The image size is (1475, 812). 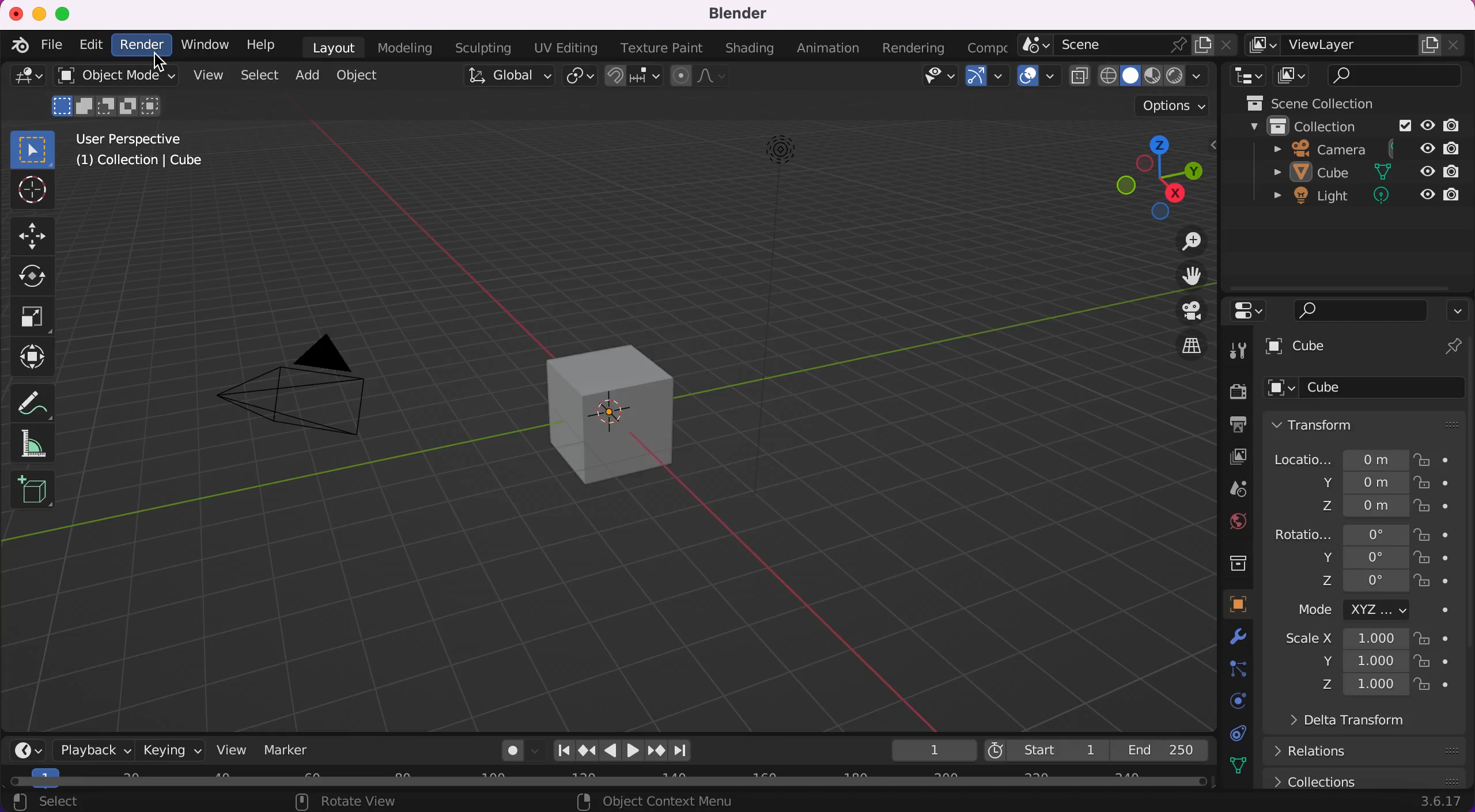 I want to click on toggle the camera view, so click(x=1189, y=311).